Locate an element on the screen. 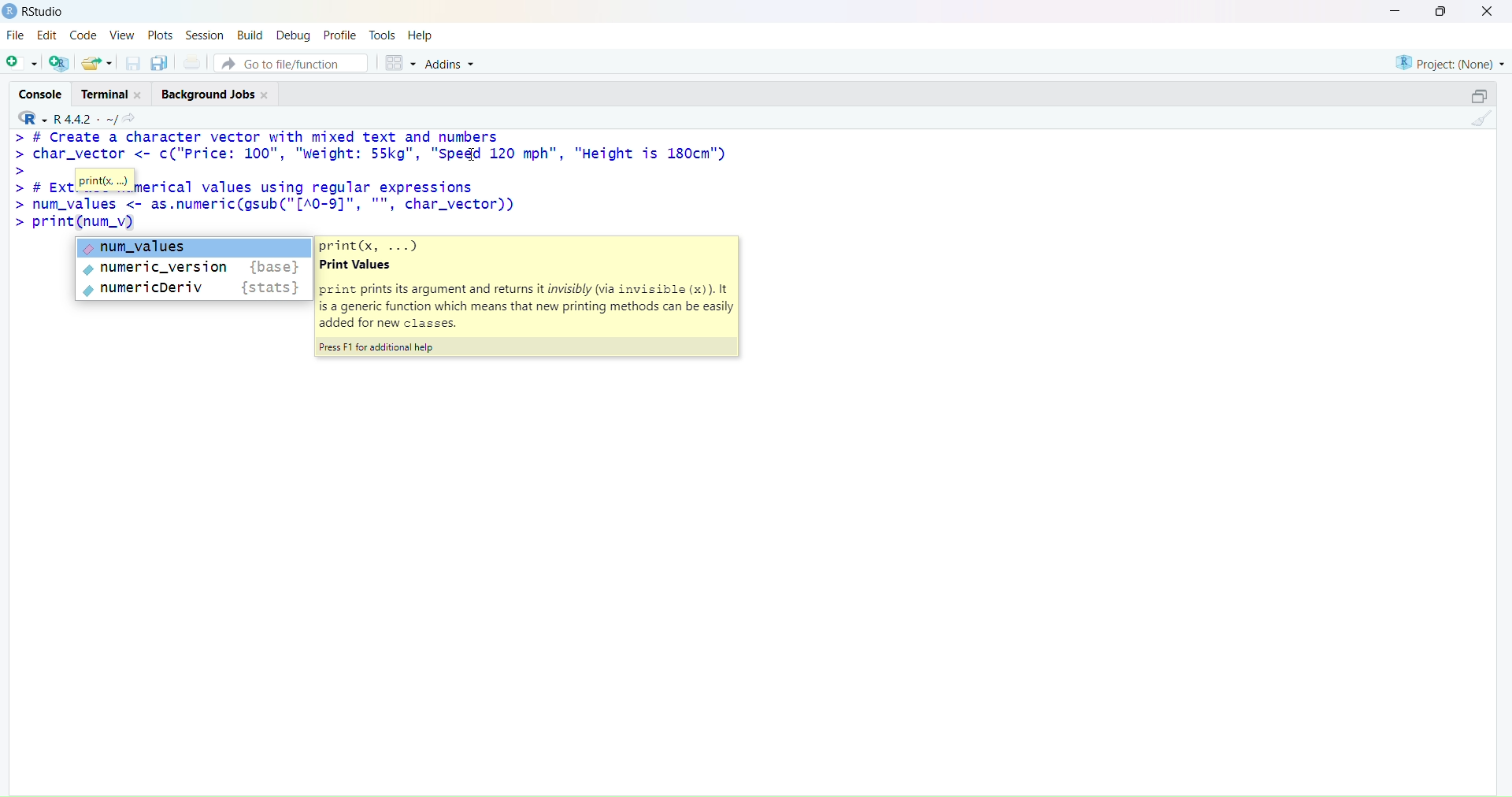 The height and width of the screenshot is (797, 1512). print is located at coordinates (193, 61).